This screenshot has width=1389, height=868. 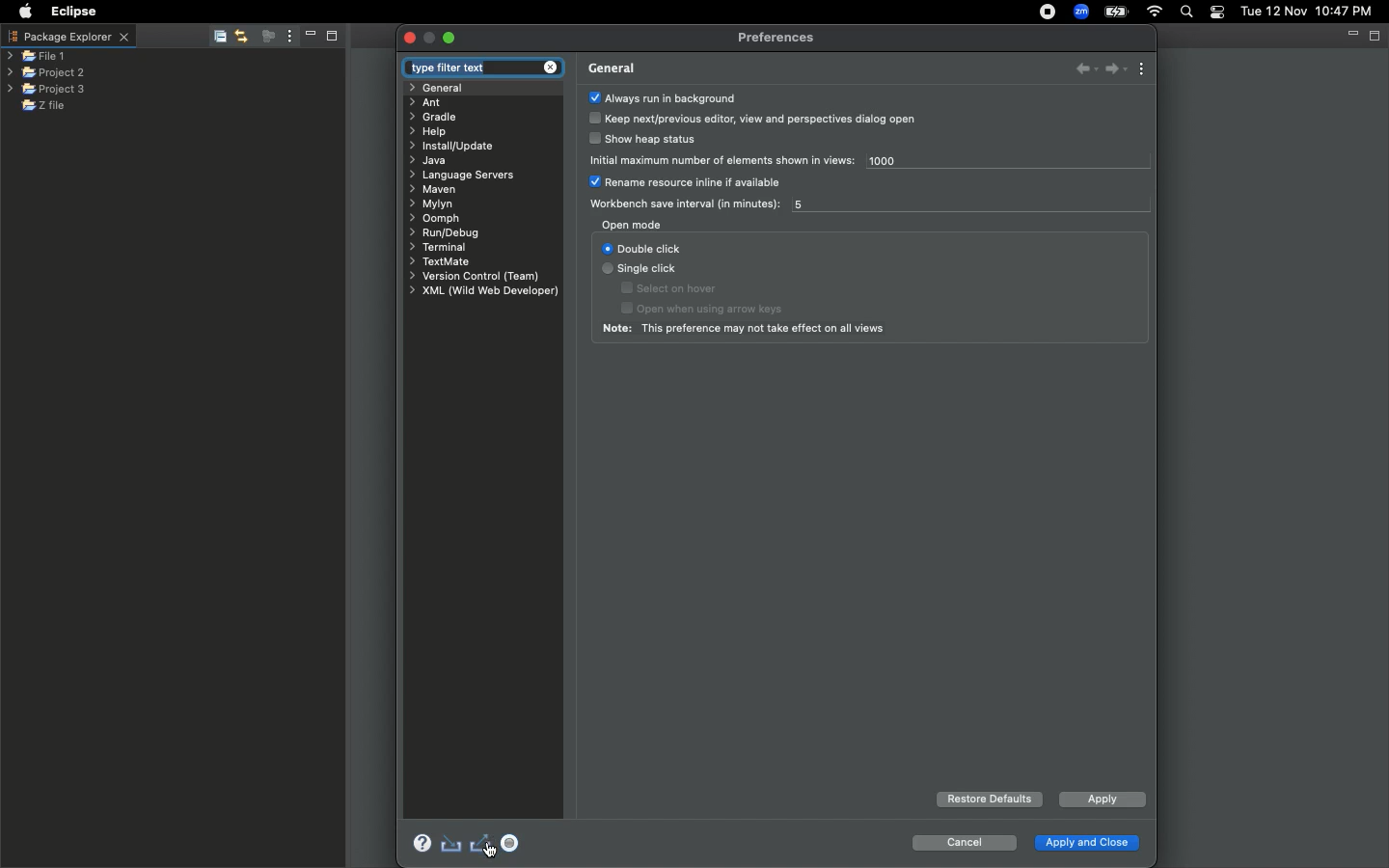 What do you see at coordinates (1101, 801) in the screenshot?
I see `Apply` at bounding box center [1101, 801].